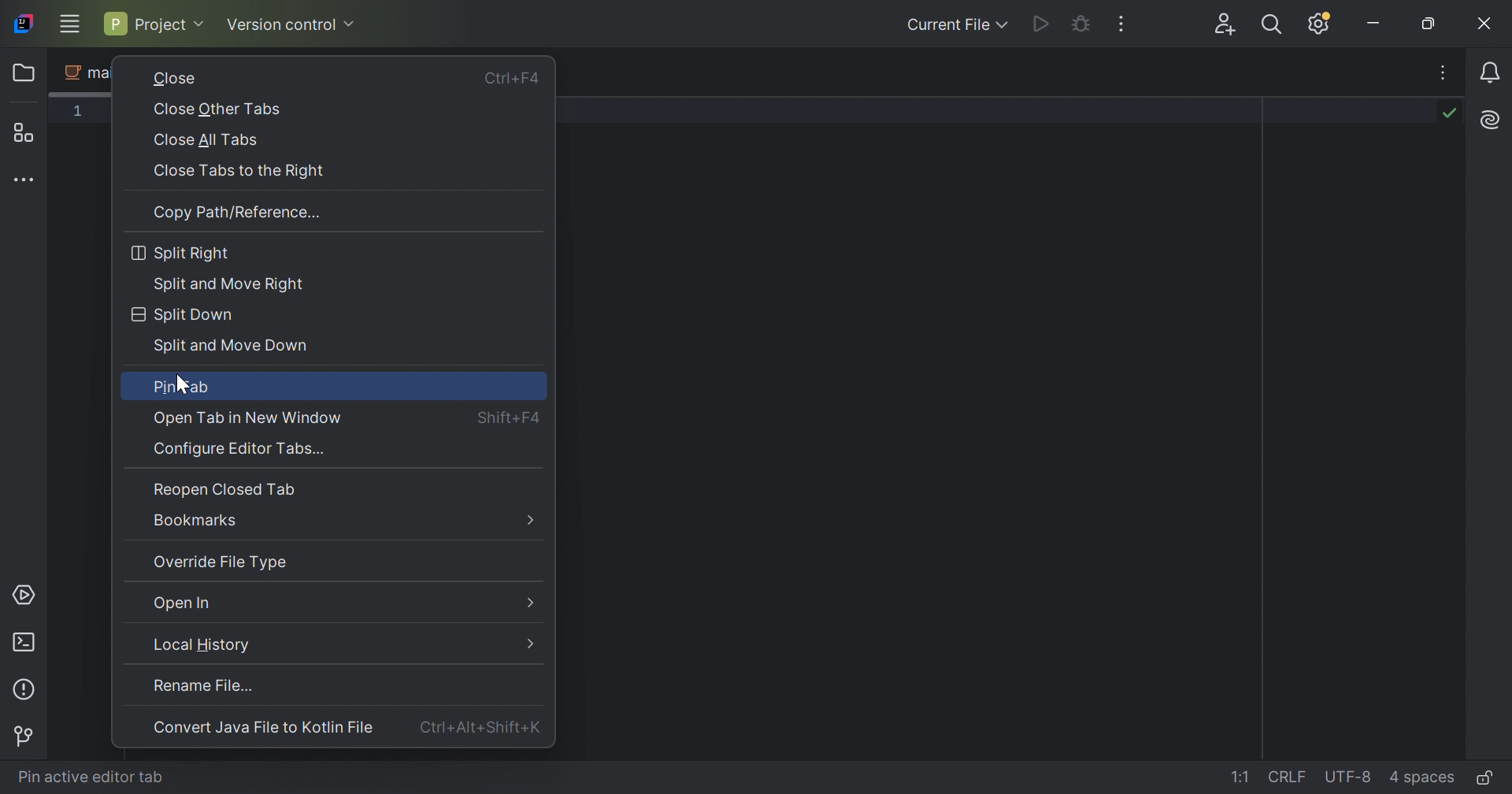 The width and height of the screenshot is (1512, 794). What do you see at coordinates (1080, 24) in the screenshot?
I see `Debug` at bounding box center [1080, 24].